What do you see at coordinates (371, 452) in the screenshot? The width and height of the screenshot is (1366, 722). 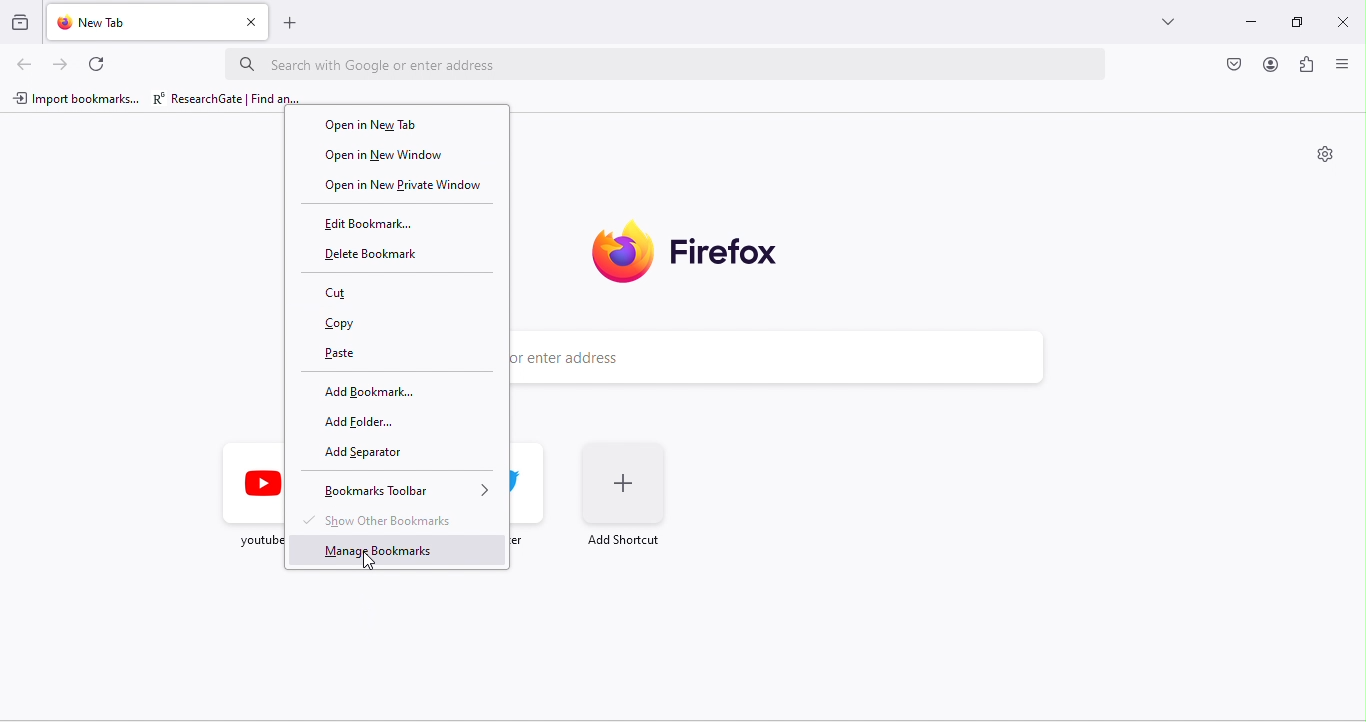 I see `add separator` at bounding box center [371, 452].